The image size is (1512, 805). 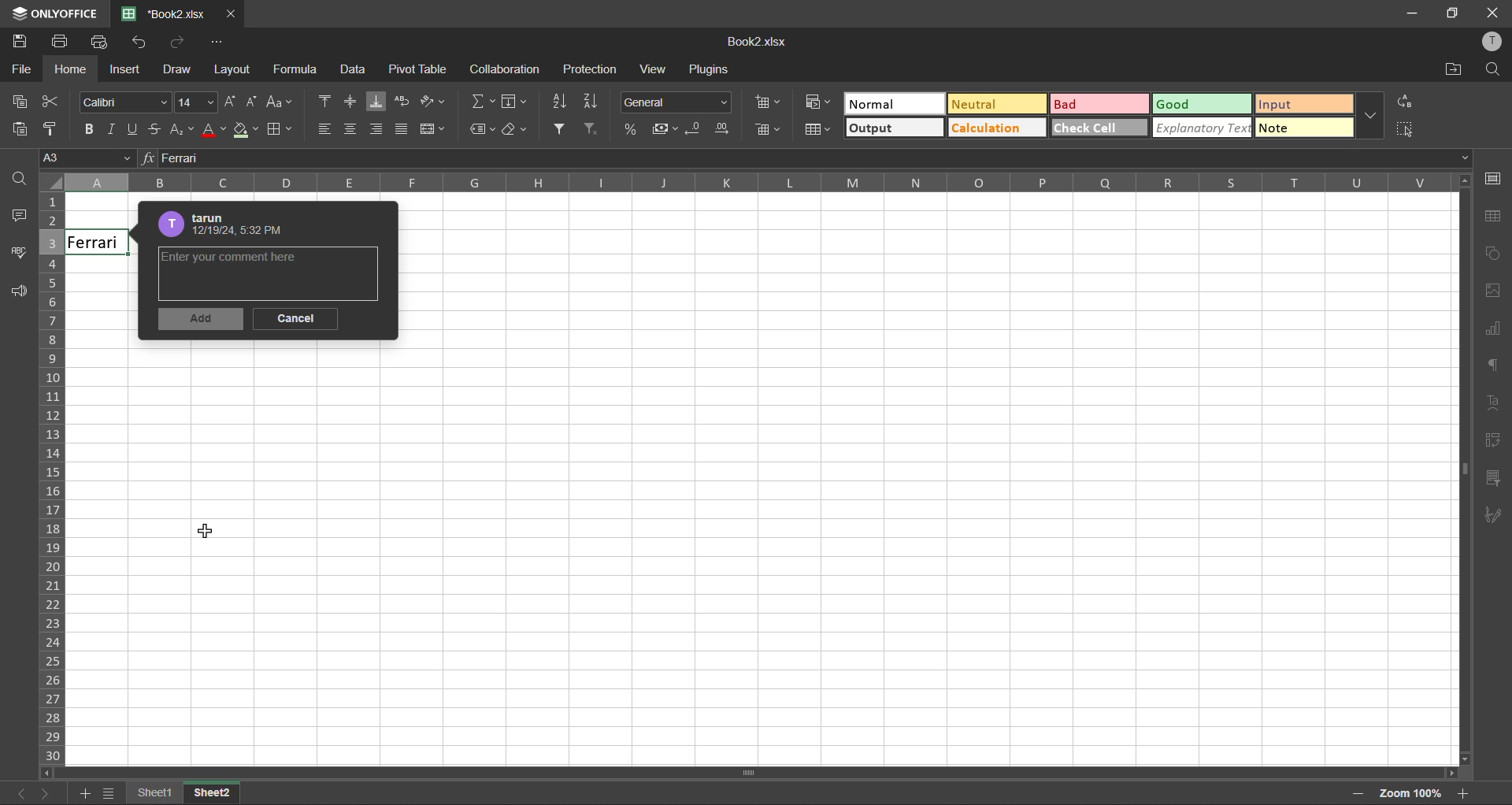 What do you see at coordinates (227, 224) in the screenshot?
I see `profile and datestamp` at bounding box center [227, 224].